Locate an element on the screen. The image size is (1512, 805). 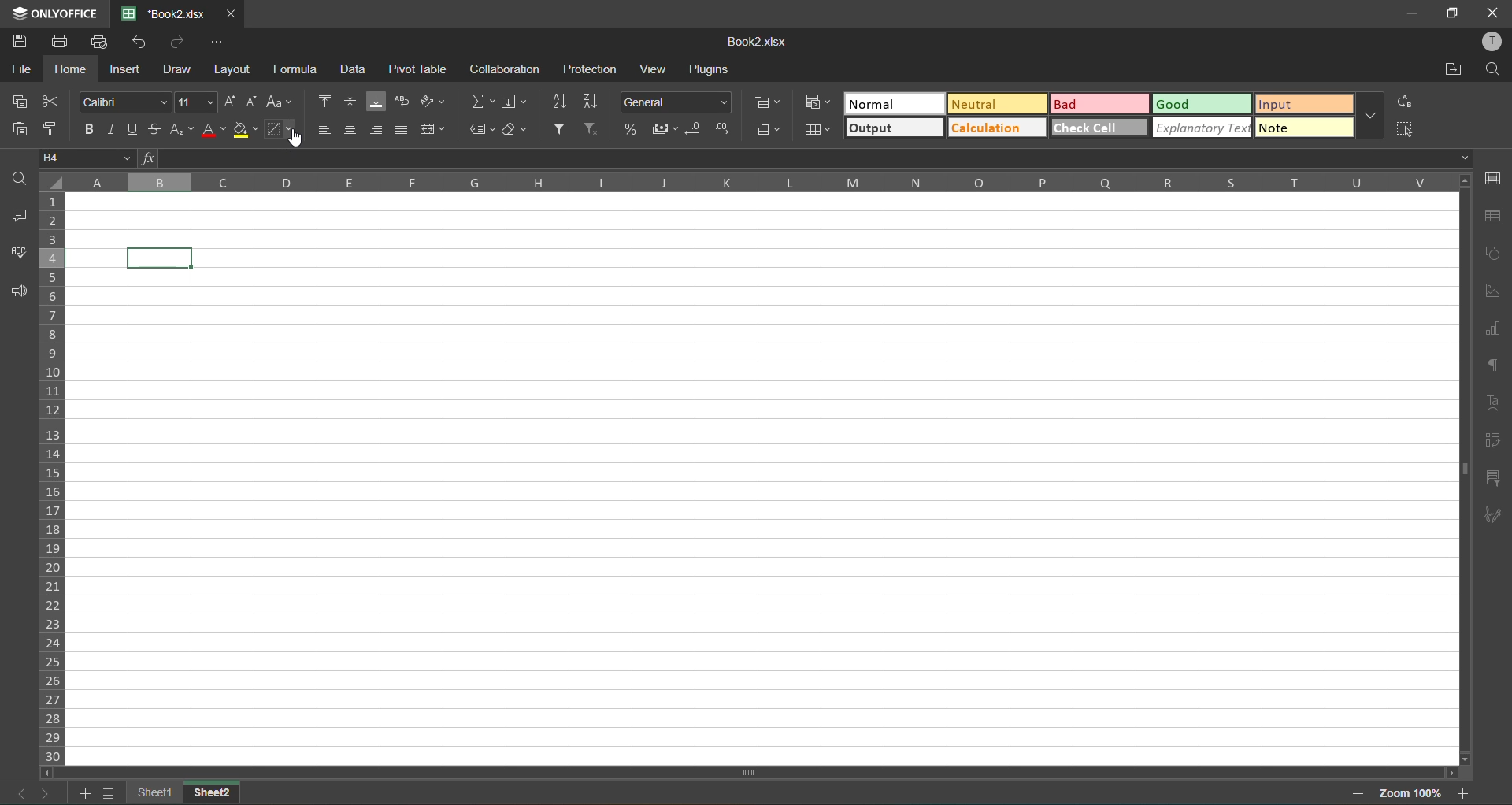
book2.xlsx is located at coordinates (762, 43).